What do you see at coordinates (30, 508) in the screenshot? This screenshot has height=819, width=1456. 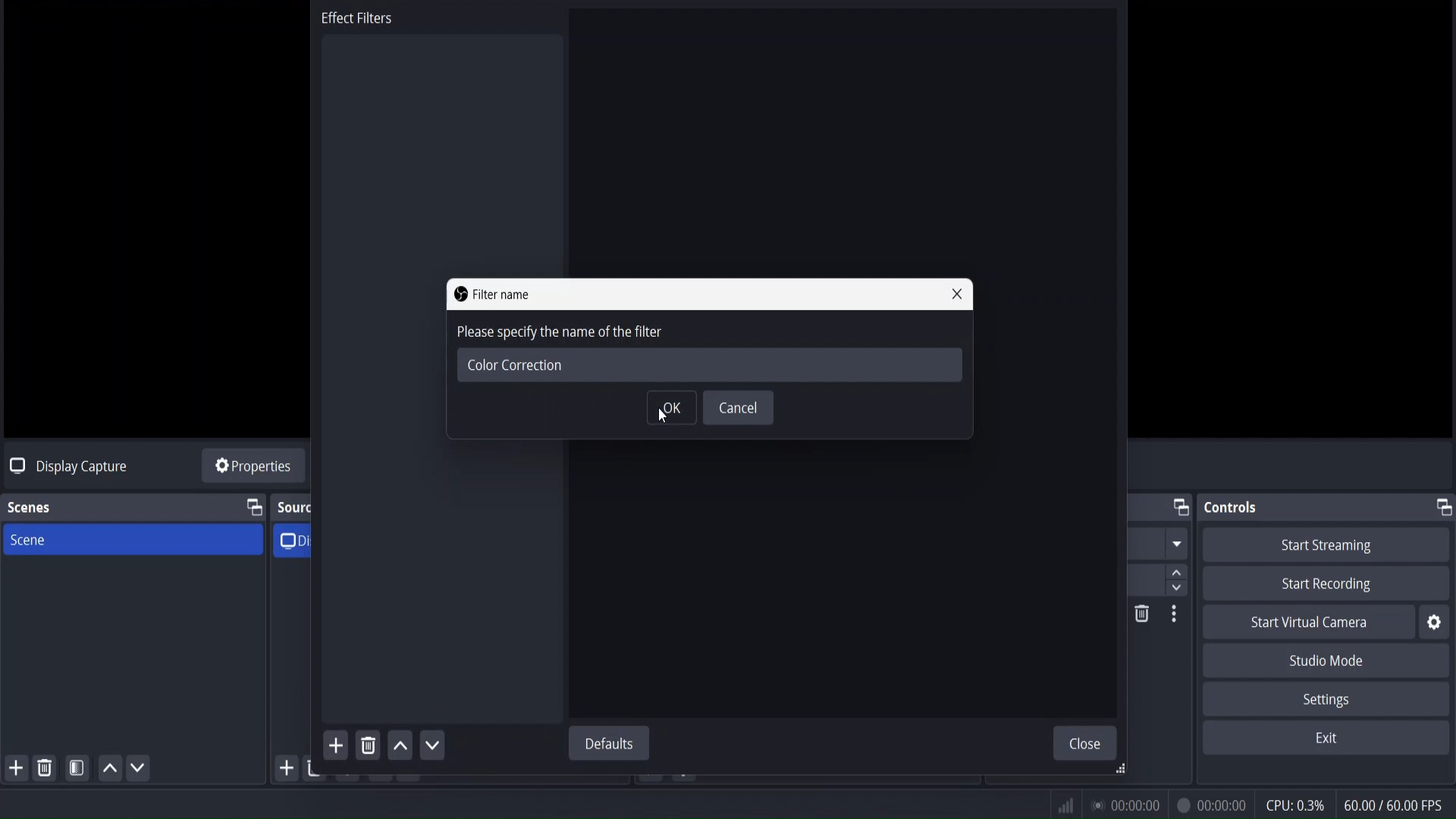 I see `scenes` at bounding box center [30, 508].